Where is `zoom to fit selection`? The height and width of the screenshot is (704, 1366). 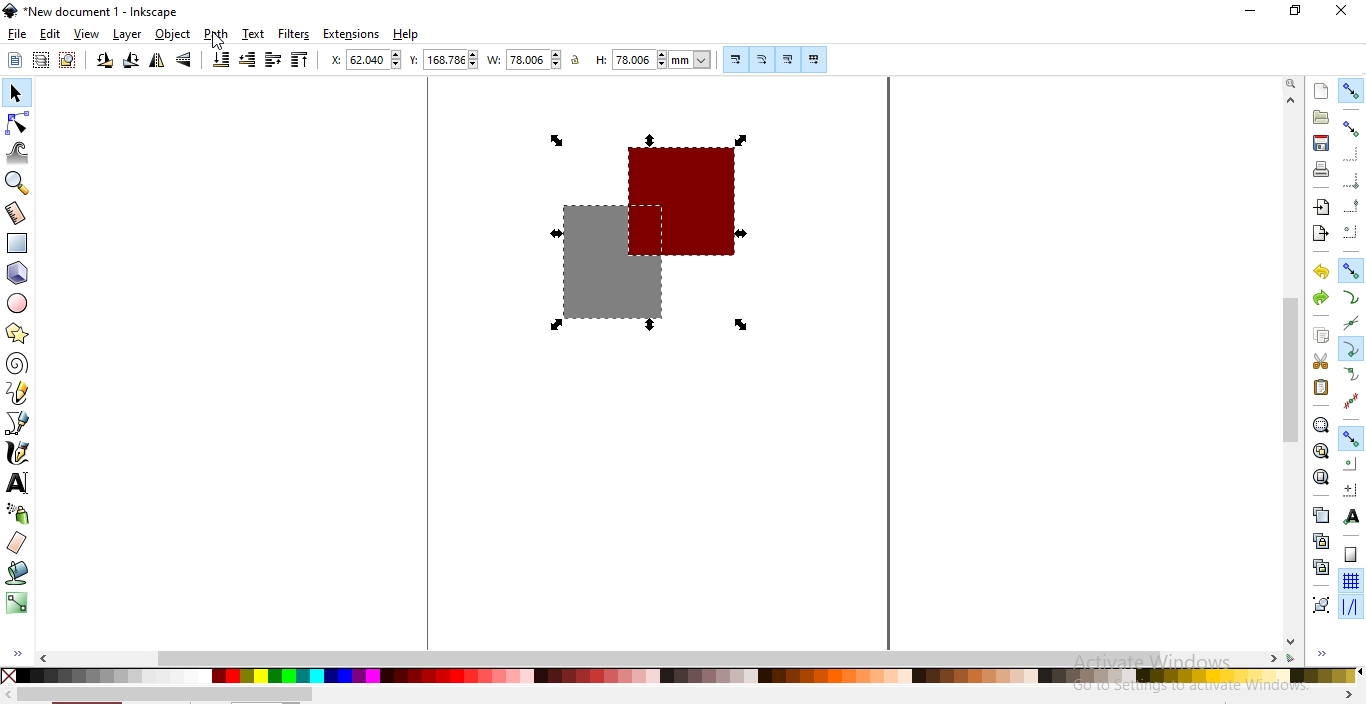 zoom to fit selection is located at coordinates (1320, 426).